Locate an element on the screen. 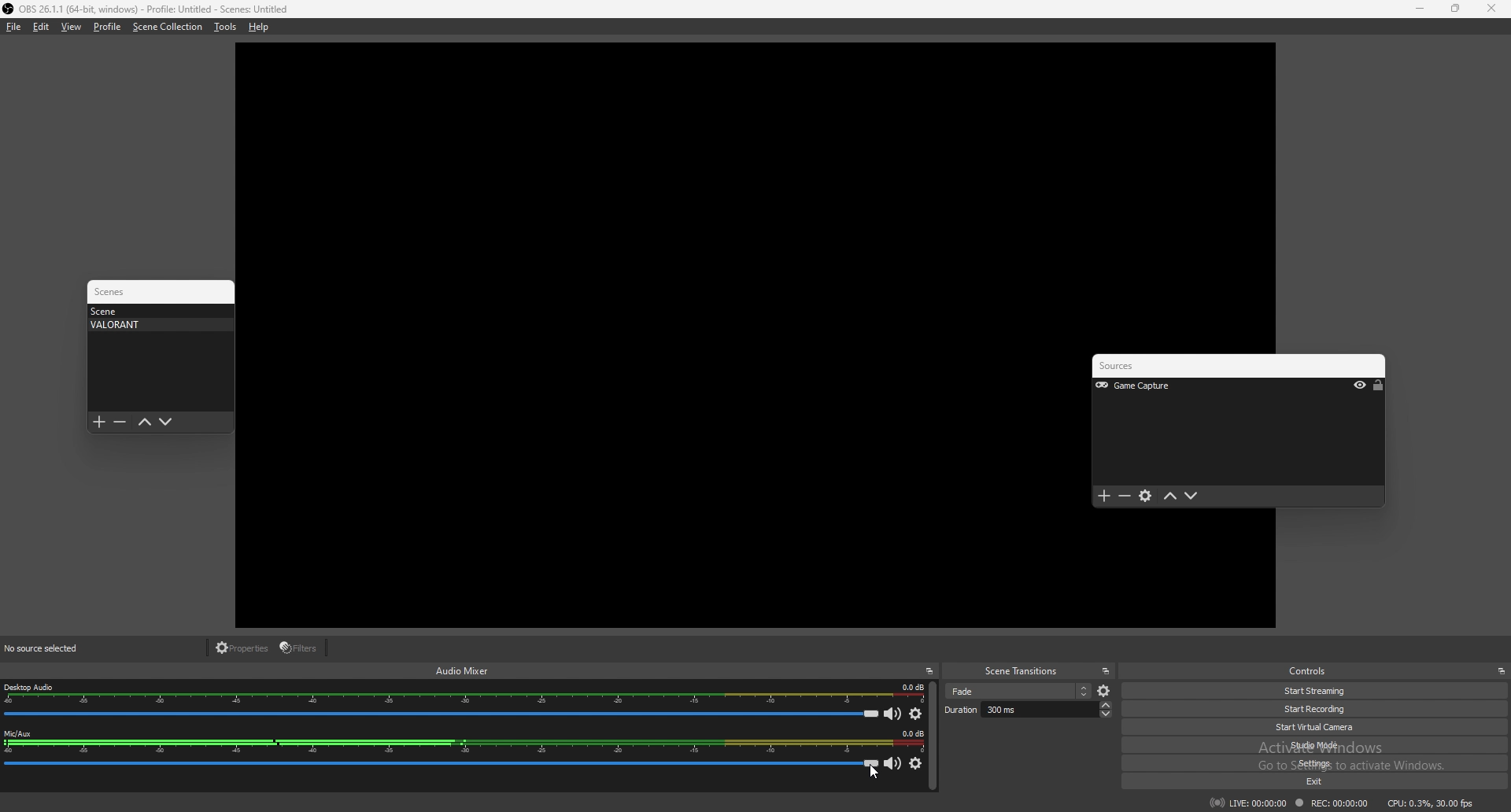  file is located at coordinates (14, 27).